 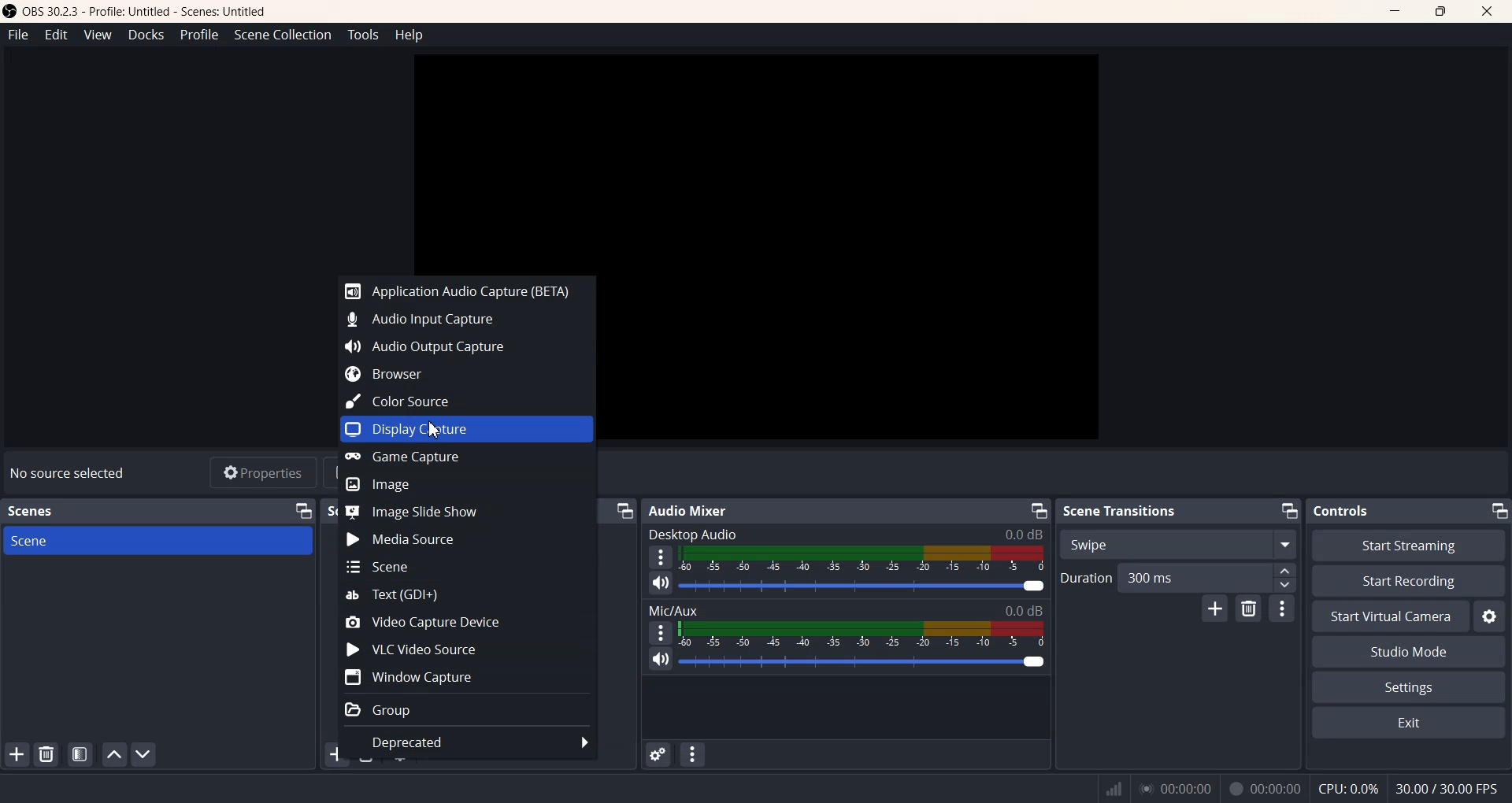 What do you see at coordinates (466, 622) in the screenshot?
I see `Video Capture Device` at bounding box center [466, 622].